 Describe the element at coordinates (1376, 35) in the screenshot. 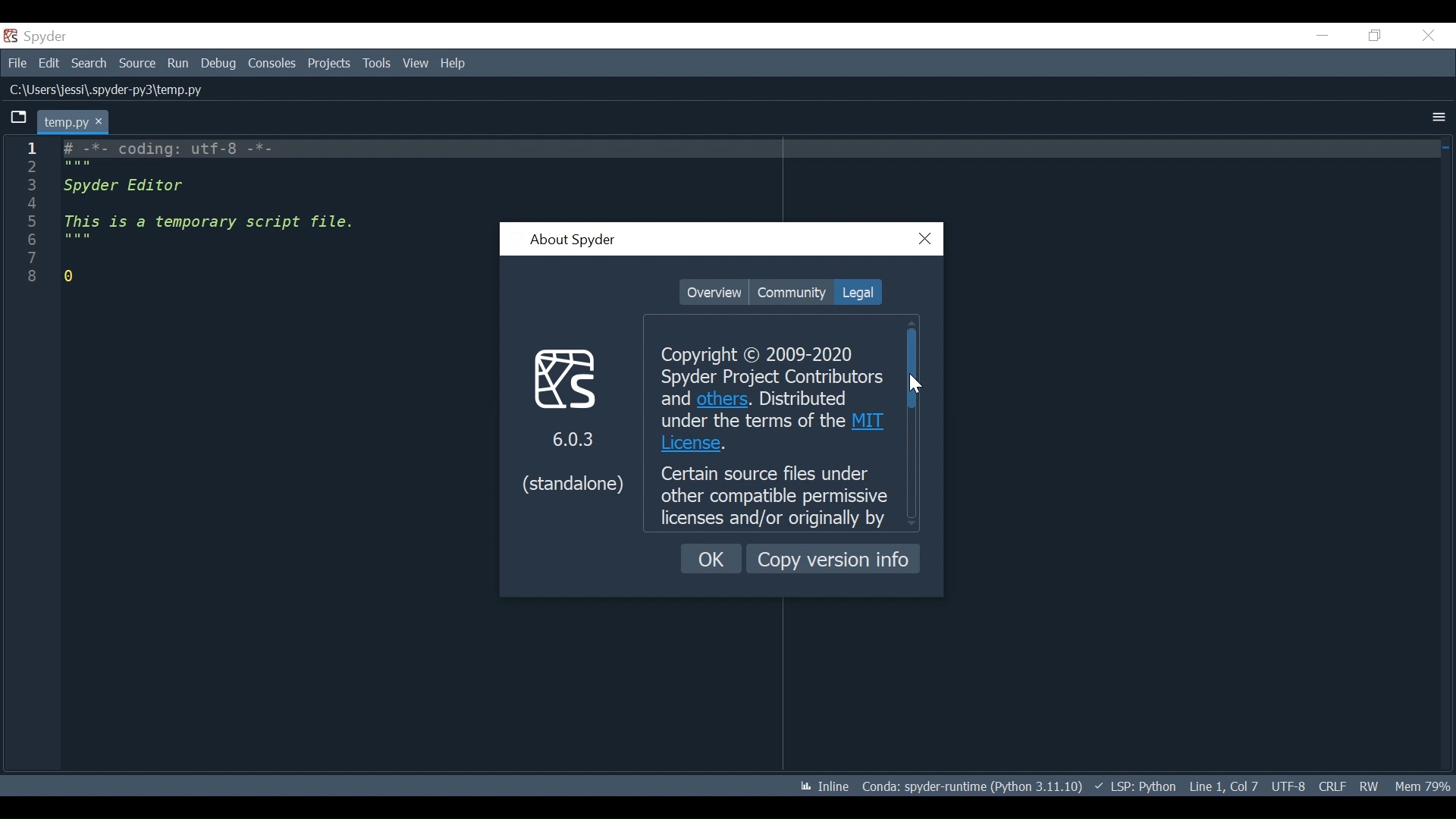

I see `Restore` at that location.